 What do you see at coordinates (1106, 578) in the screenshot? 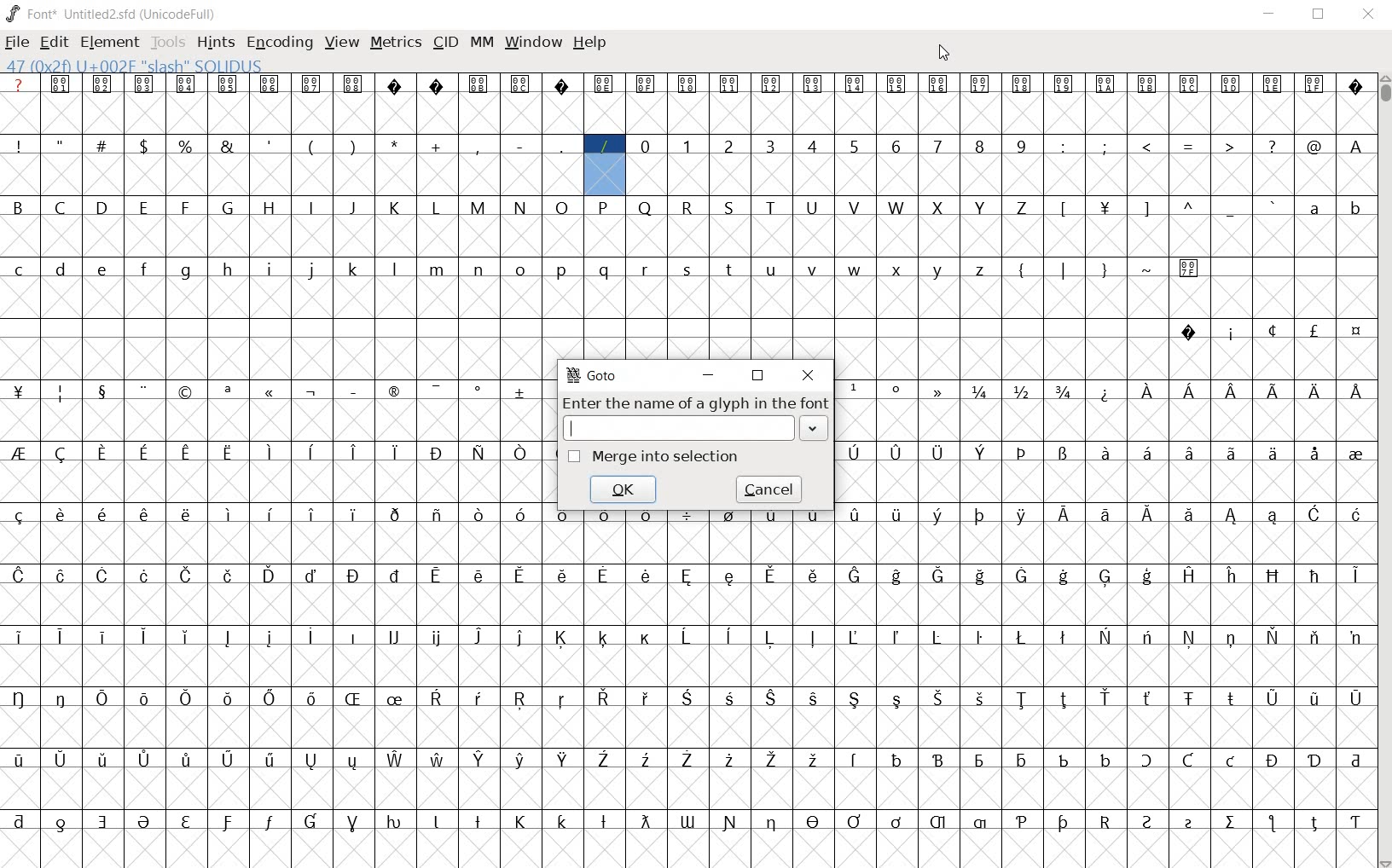
I see `glyph` at bounding box center [1106, 578].